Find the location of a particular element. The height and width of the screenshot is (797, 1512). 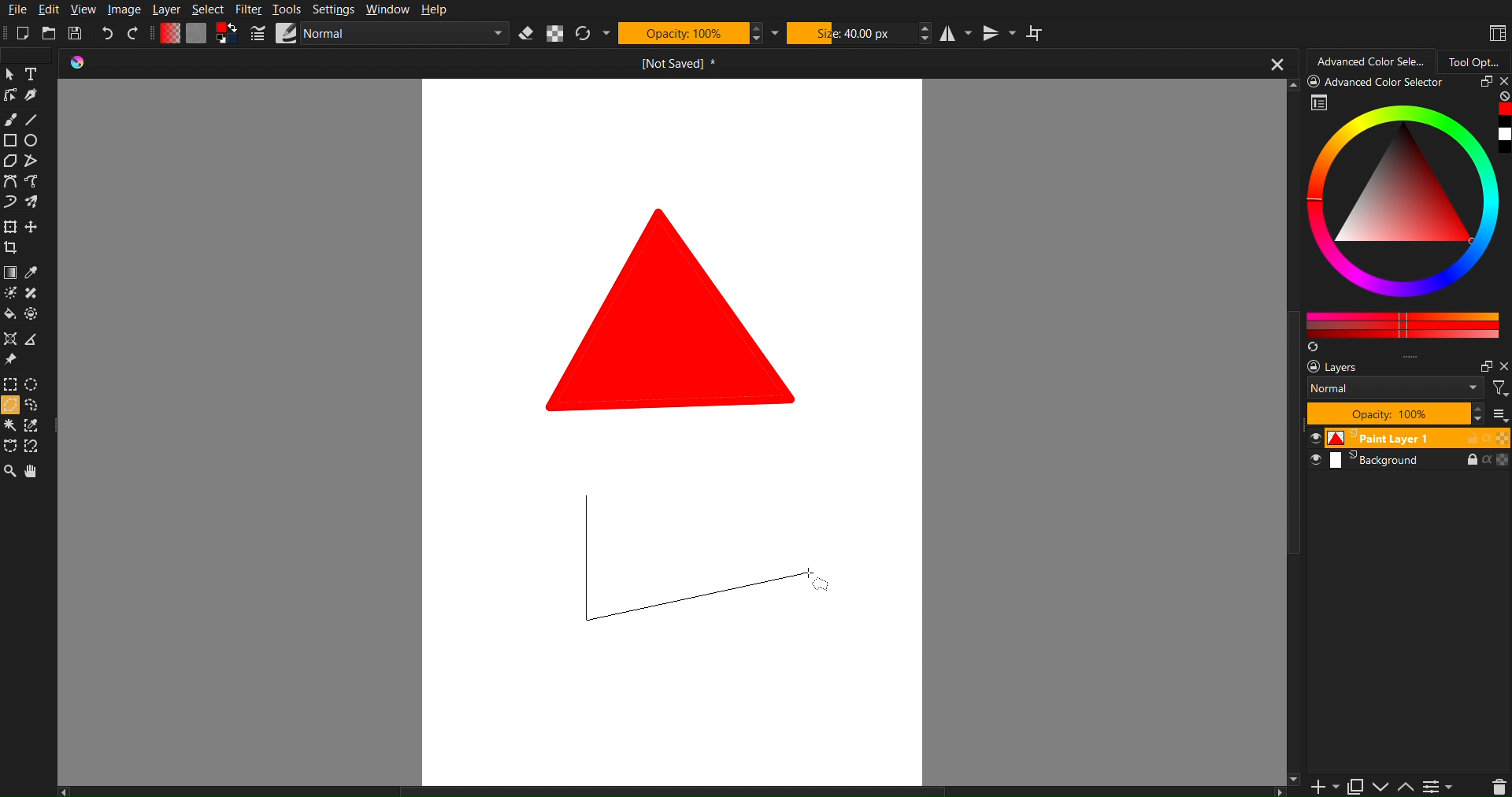

Shape is located at coordinates (675, 308).